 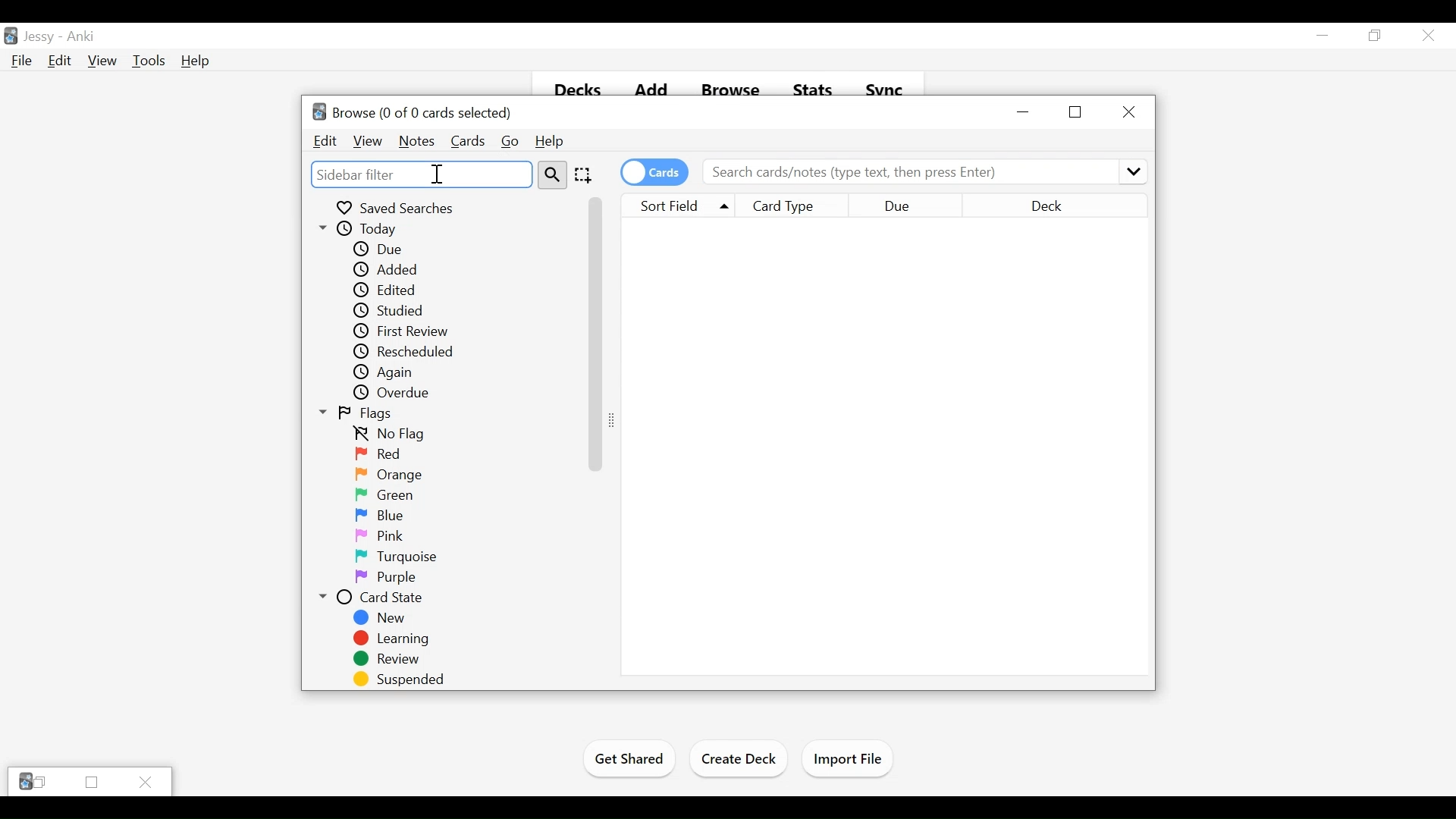 What do you see at coordinates (196, 61) in the screenshot?
I see `Help` at bounding box center [196, 61].